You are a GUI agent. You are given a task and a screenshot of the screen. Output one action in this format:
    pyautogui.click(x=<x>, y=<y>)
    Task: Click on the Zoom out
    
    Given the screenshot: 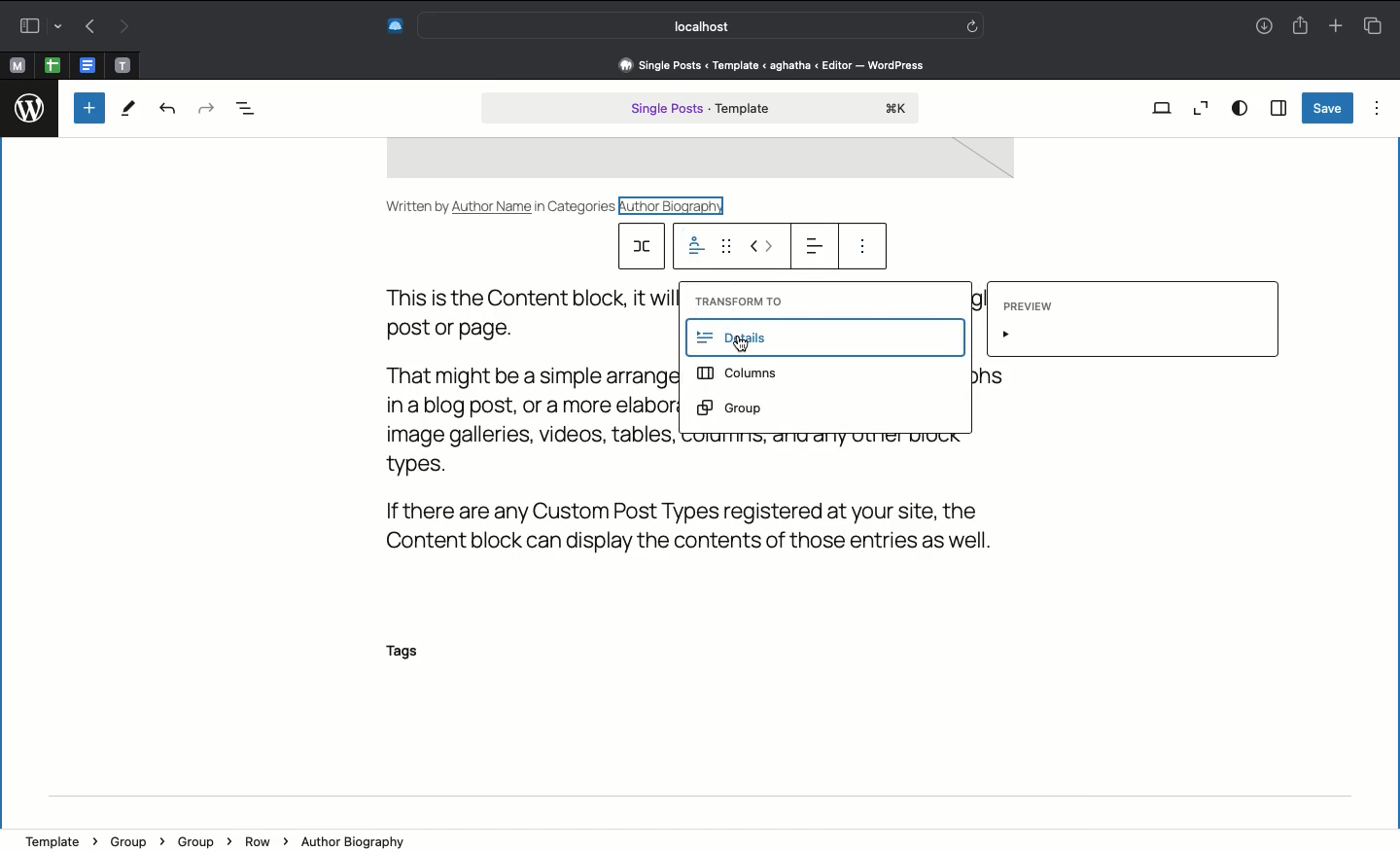 What is the action you would take?
    pyautogui.click(x=1201, y=108)
    